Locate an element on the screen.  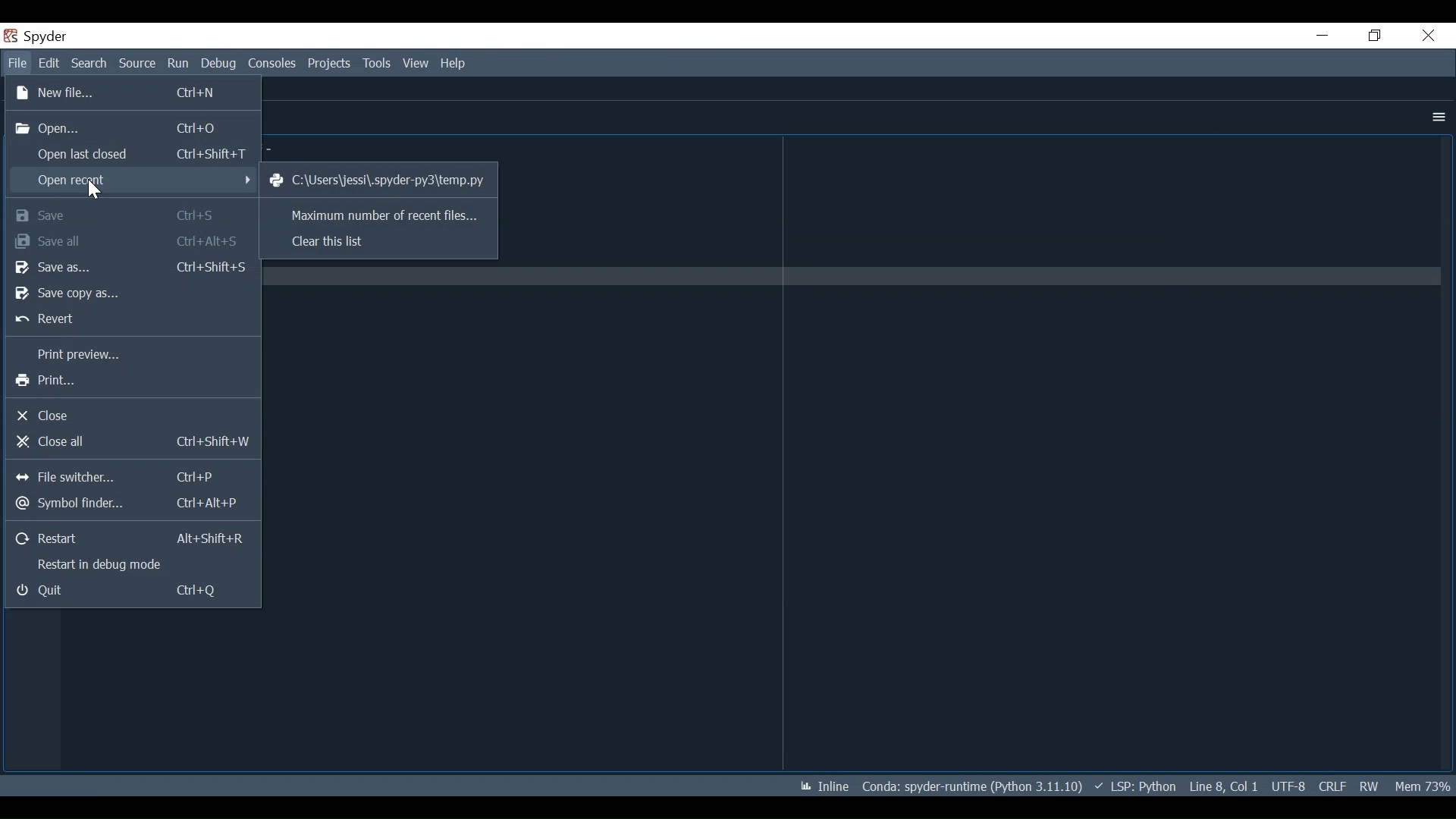
Edit is located at coordinates (49, 63).